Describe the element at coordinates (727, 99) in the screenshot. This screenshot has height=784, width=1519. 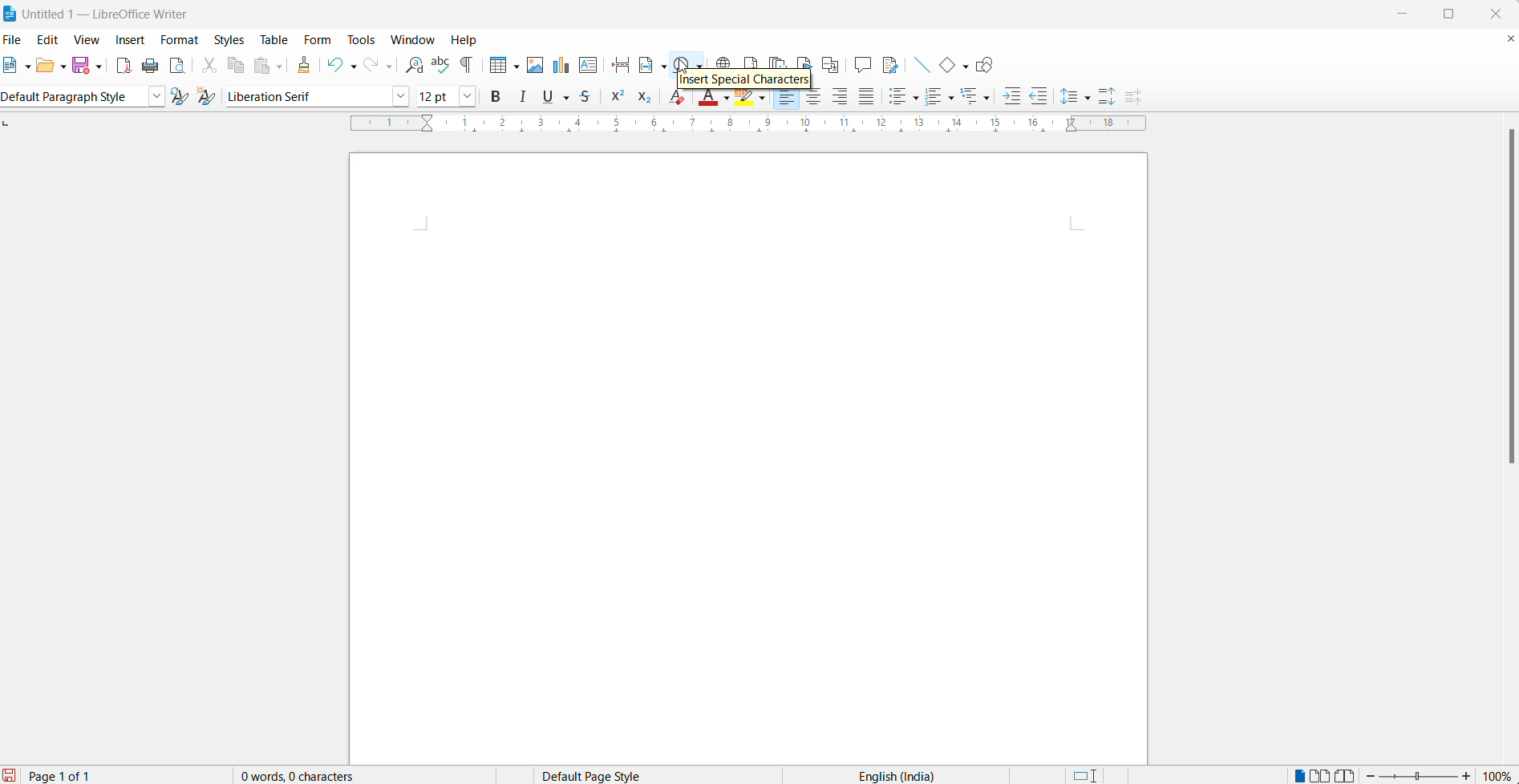
I see `font color options` at that location.